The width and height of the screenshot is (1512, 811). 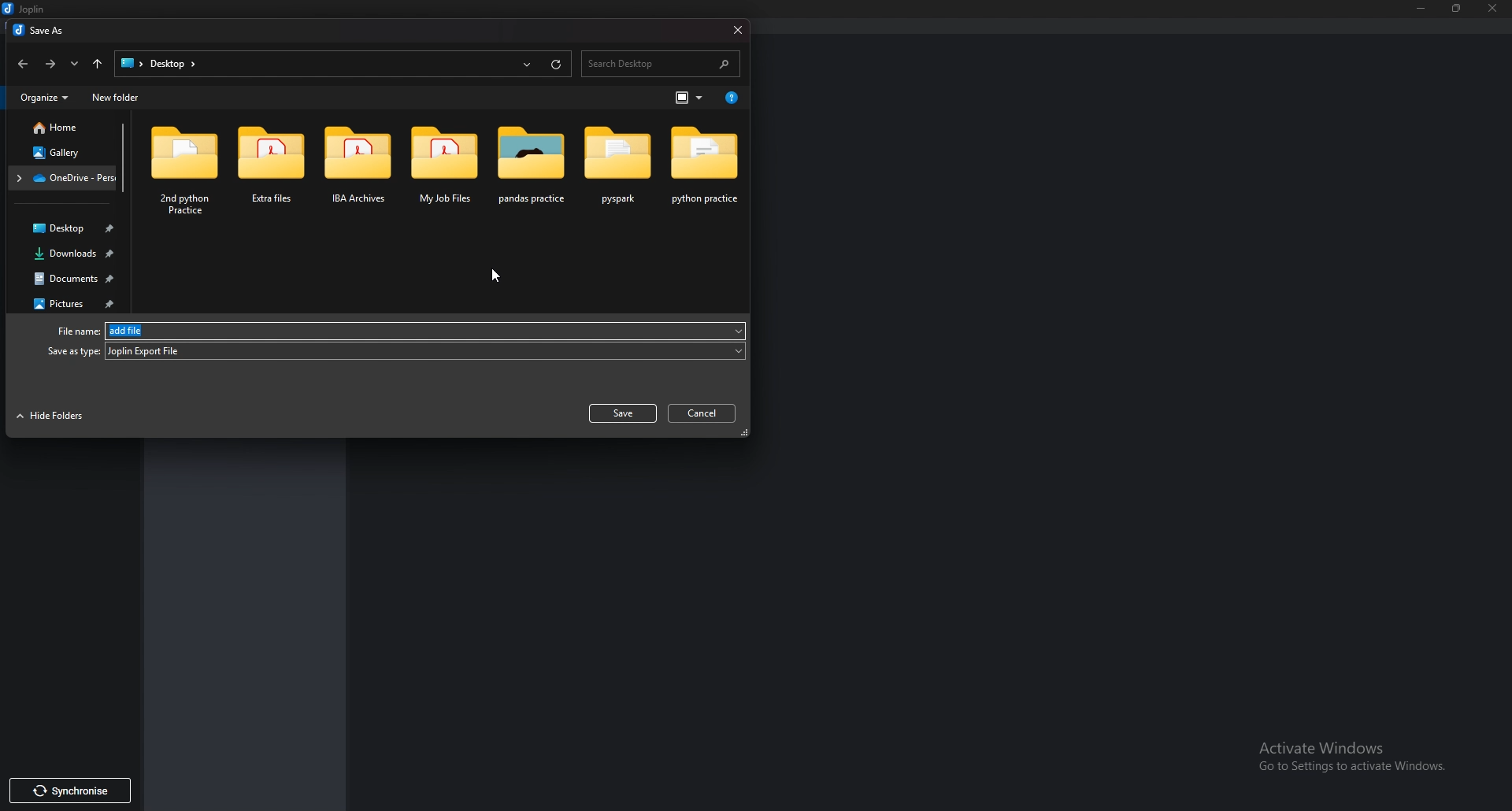 What do you see at coordinates (622, 413) in the screenshot?
I see `save` at bounding box center [622, 413].